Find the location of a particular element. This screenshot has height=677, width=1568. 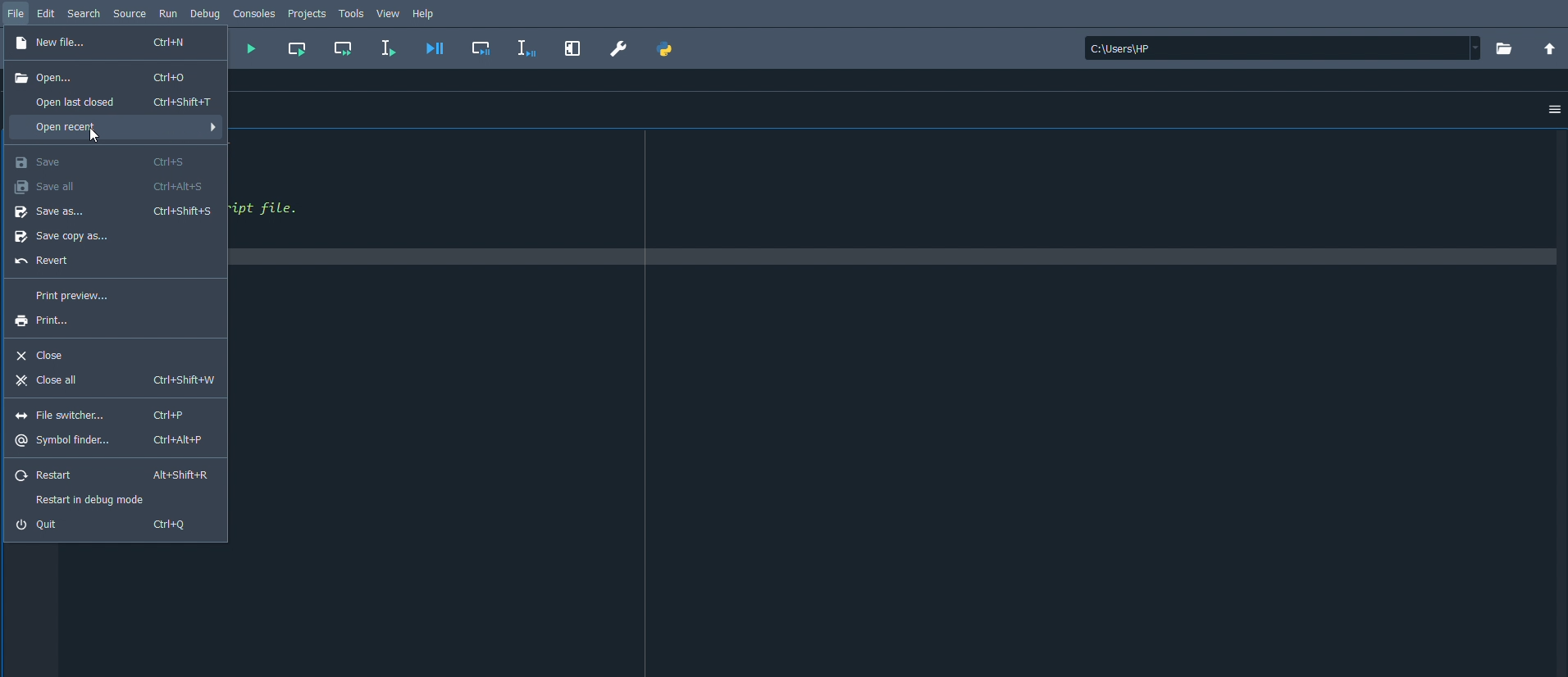

View is located at coordinates (389, 11).